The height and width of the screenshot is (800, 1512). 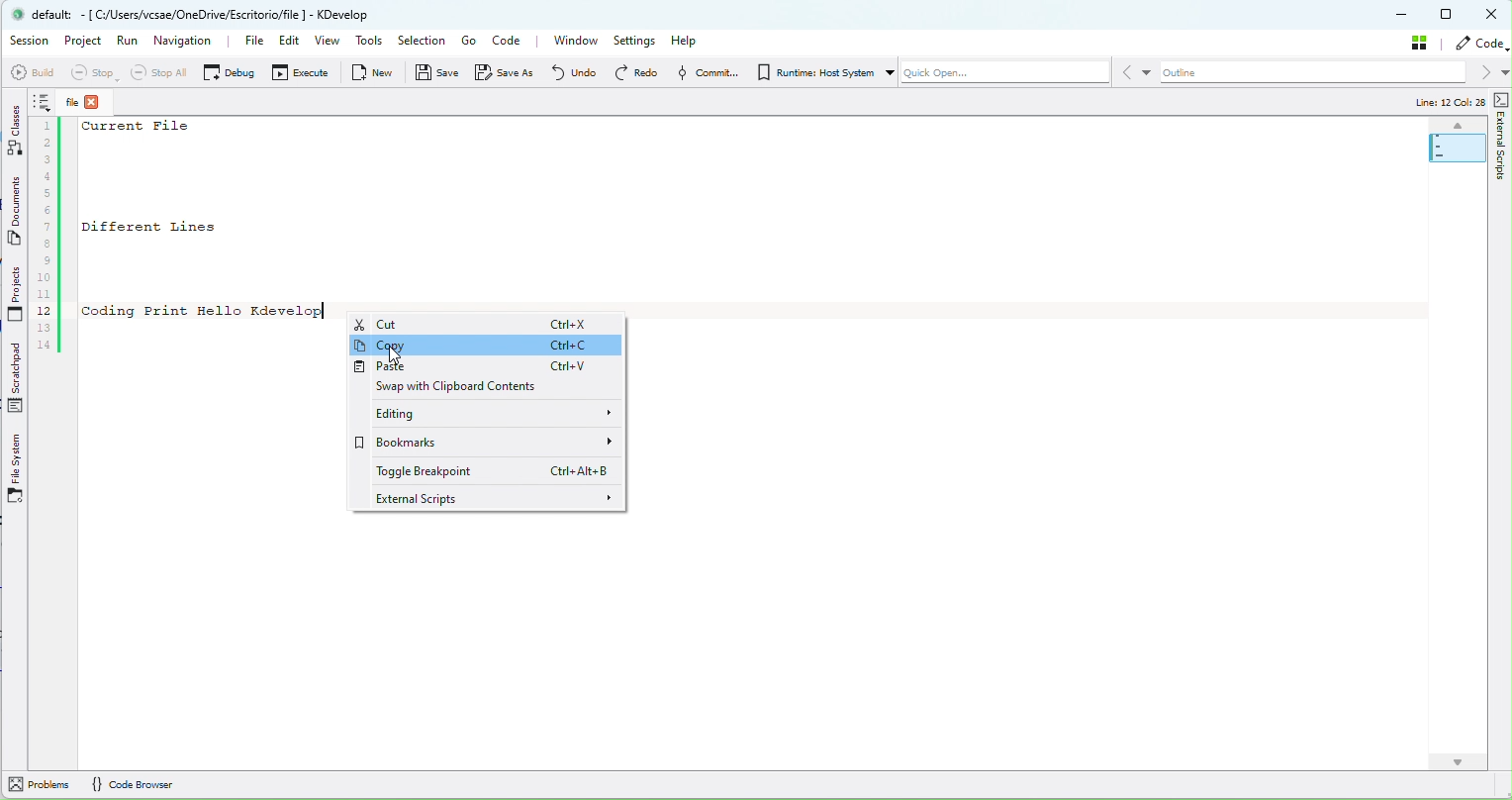 What do you see at coordinates (16, 129) in the screenshot?
I see `Classes` at bounding box center [16, 129].